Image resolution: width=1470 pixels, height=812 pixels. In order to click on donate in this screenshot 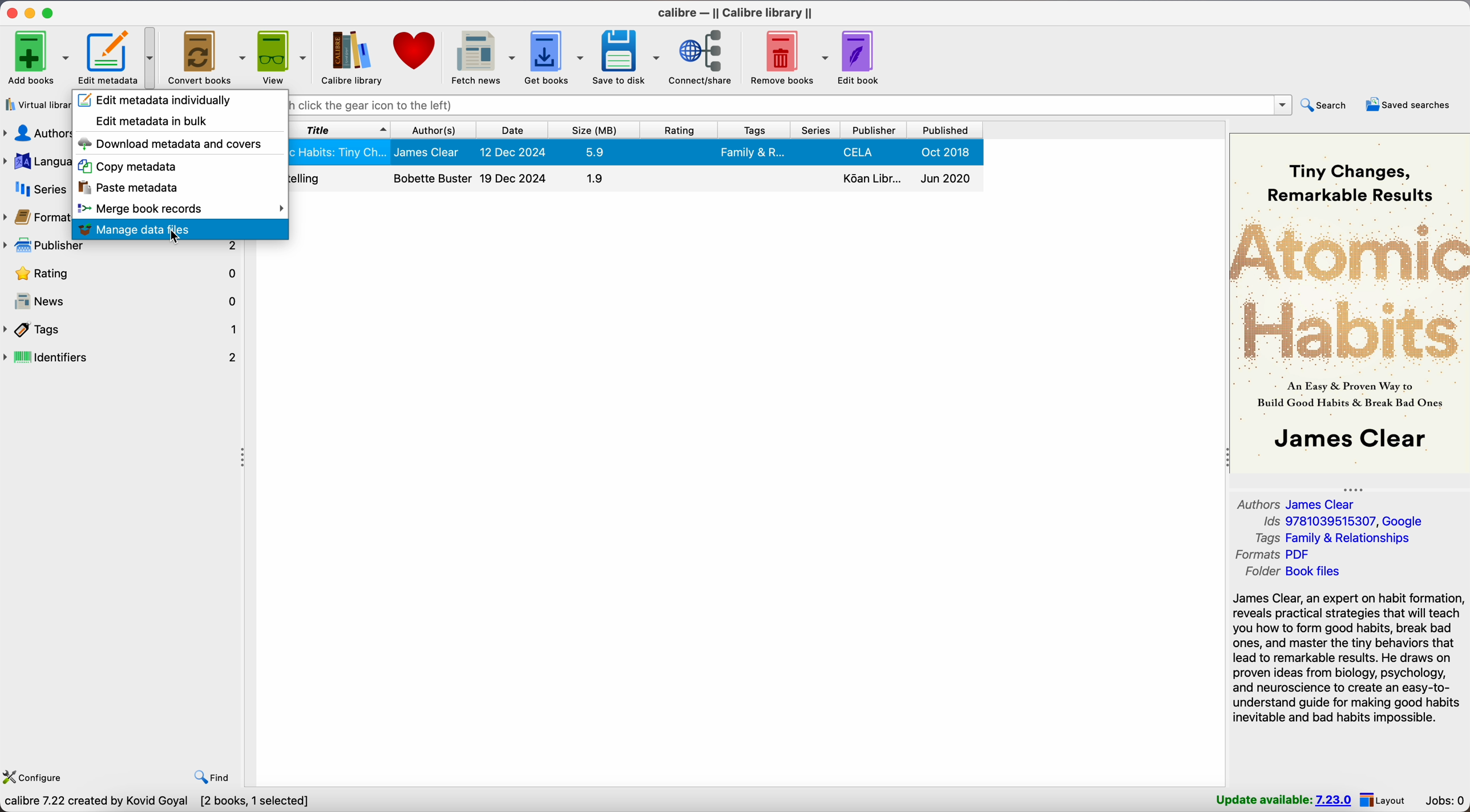, I will do `click(416, 51)`.